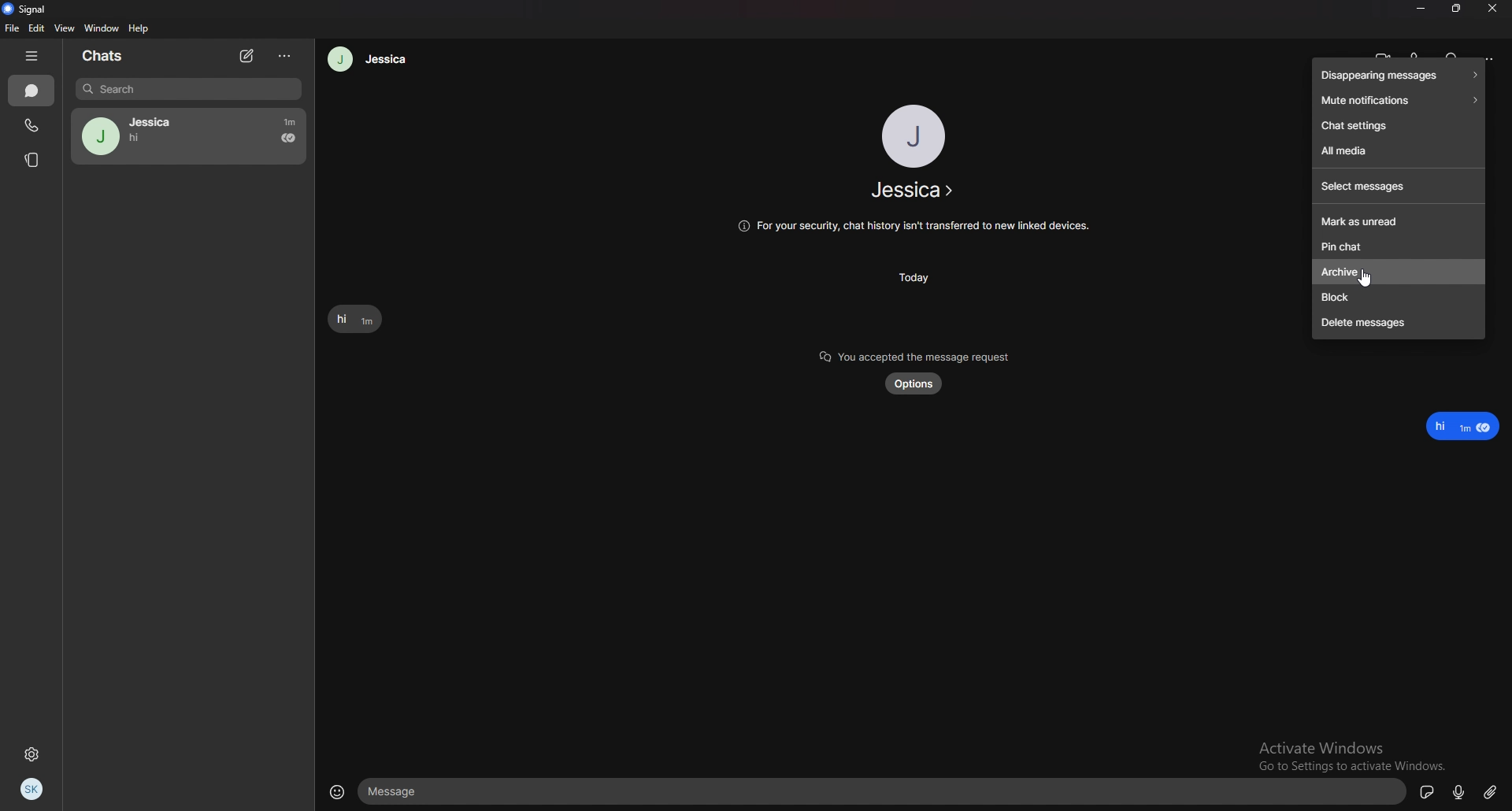  I want to click on help, so click(139, 29).